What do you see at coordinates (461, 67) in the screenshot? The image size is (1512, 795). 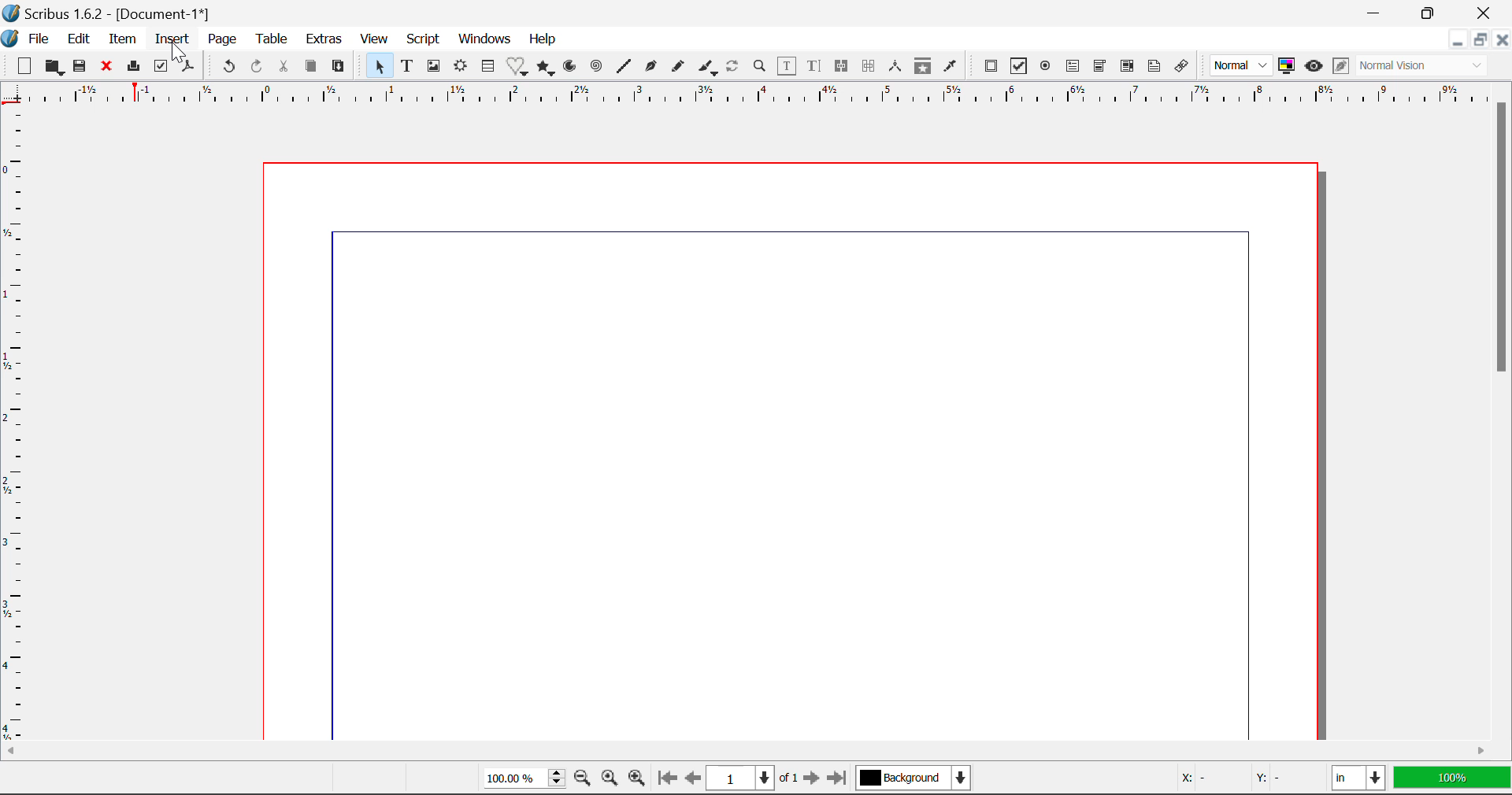 I see `Render Frame` at bounding box center [461, 67].